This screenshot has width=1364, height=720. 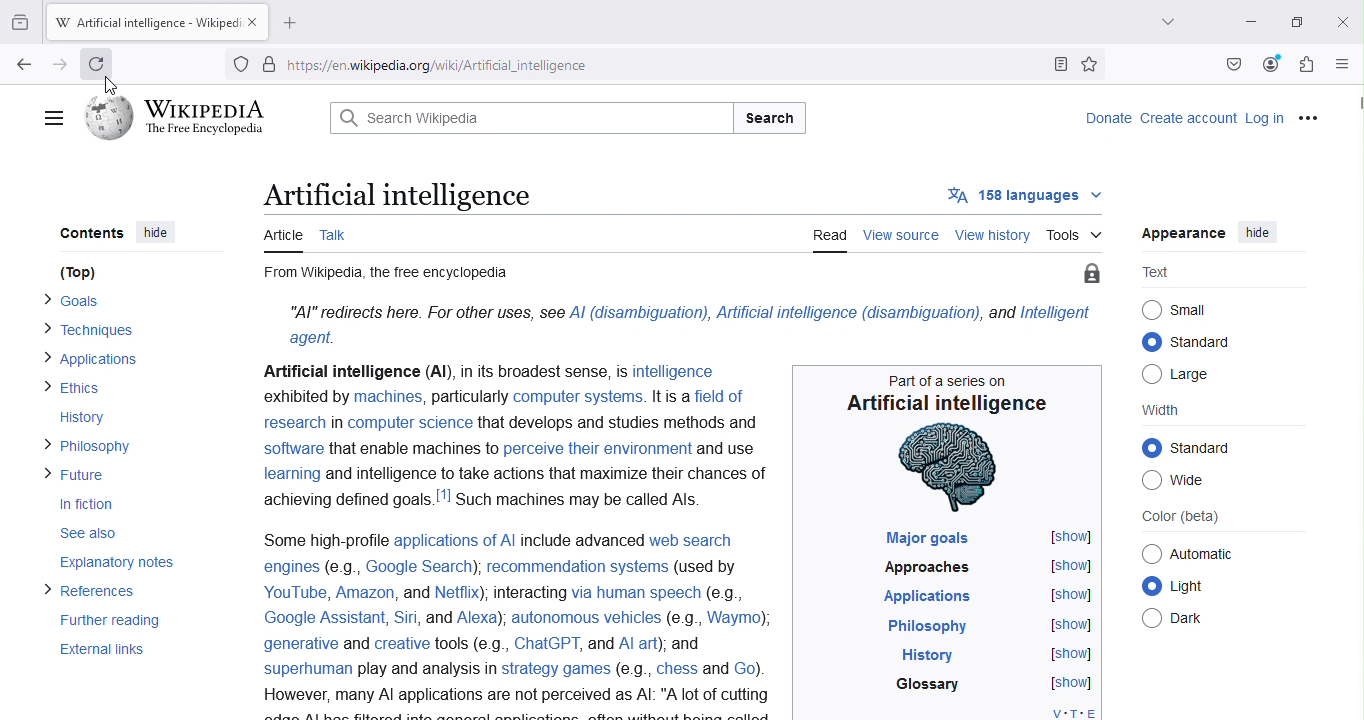 What do you see at coordinates (254, 23) in the screenshot?
I see `Close tab` at bounding box center [254, 23].